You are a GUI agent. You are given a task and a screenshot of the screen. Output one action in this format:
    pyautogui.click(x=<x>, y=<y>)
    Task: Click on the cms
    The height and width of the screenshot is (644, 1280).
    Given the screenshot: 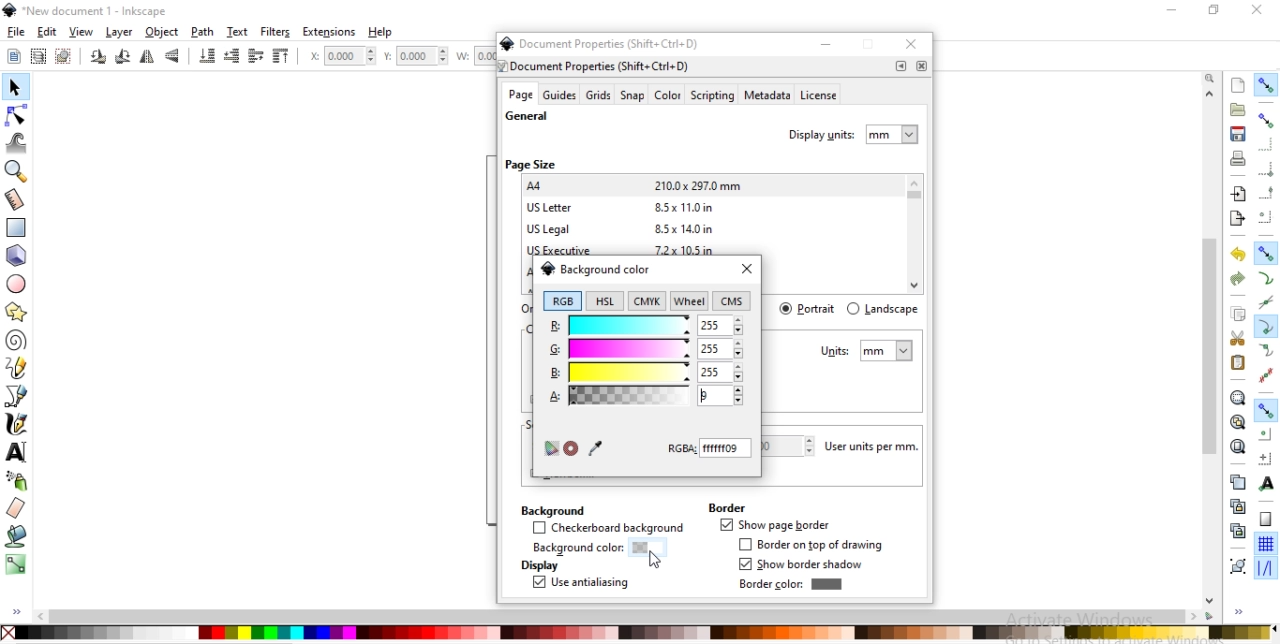 What is the action you would take?
    pyautogui.click(x=734, y=302)
    